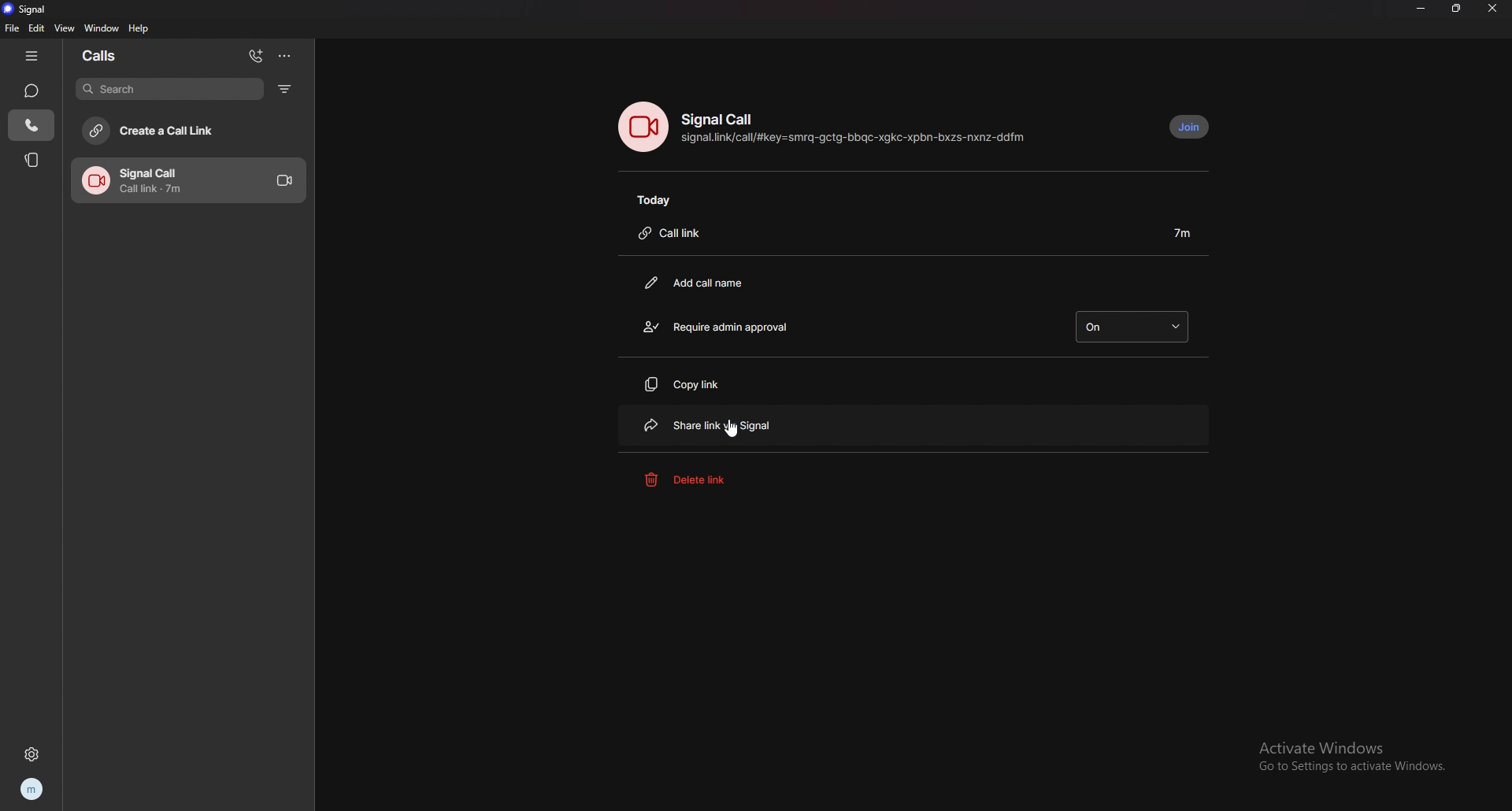  Describe the element at coordinates (287, 55) in the screenshot. I see `options` at that location.